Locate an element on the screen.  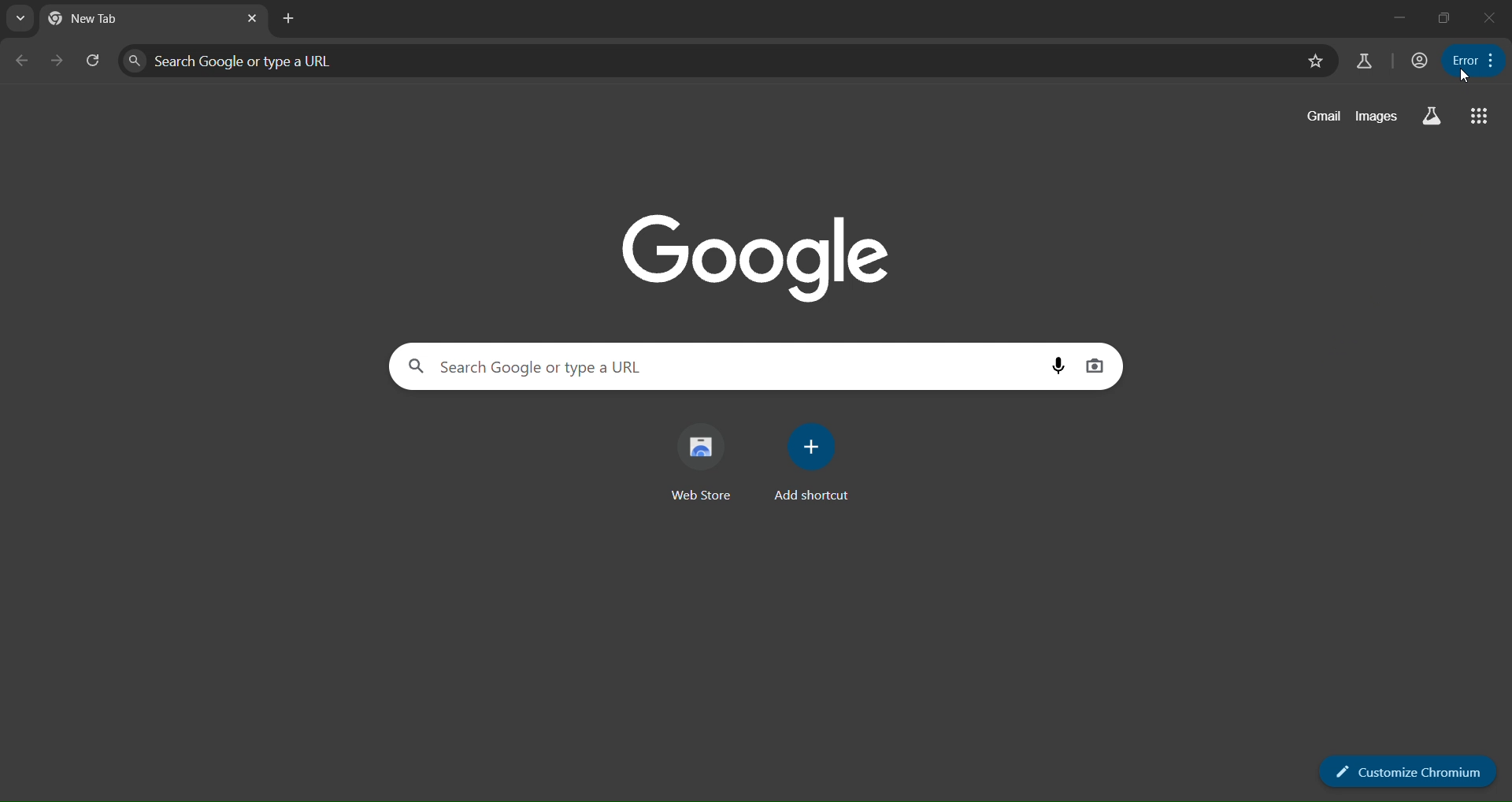
search labs is located at coordinates (1431, 115).